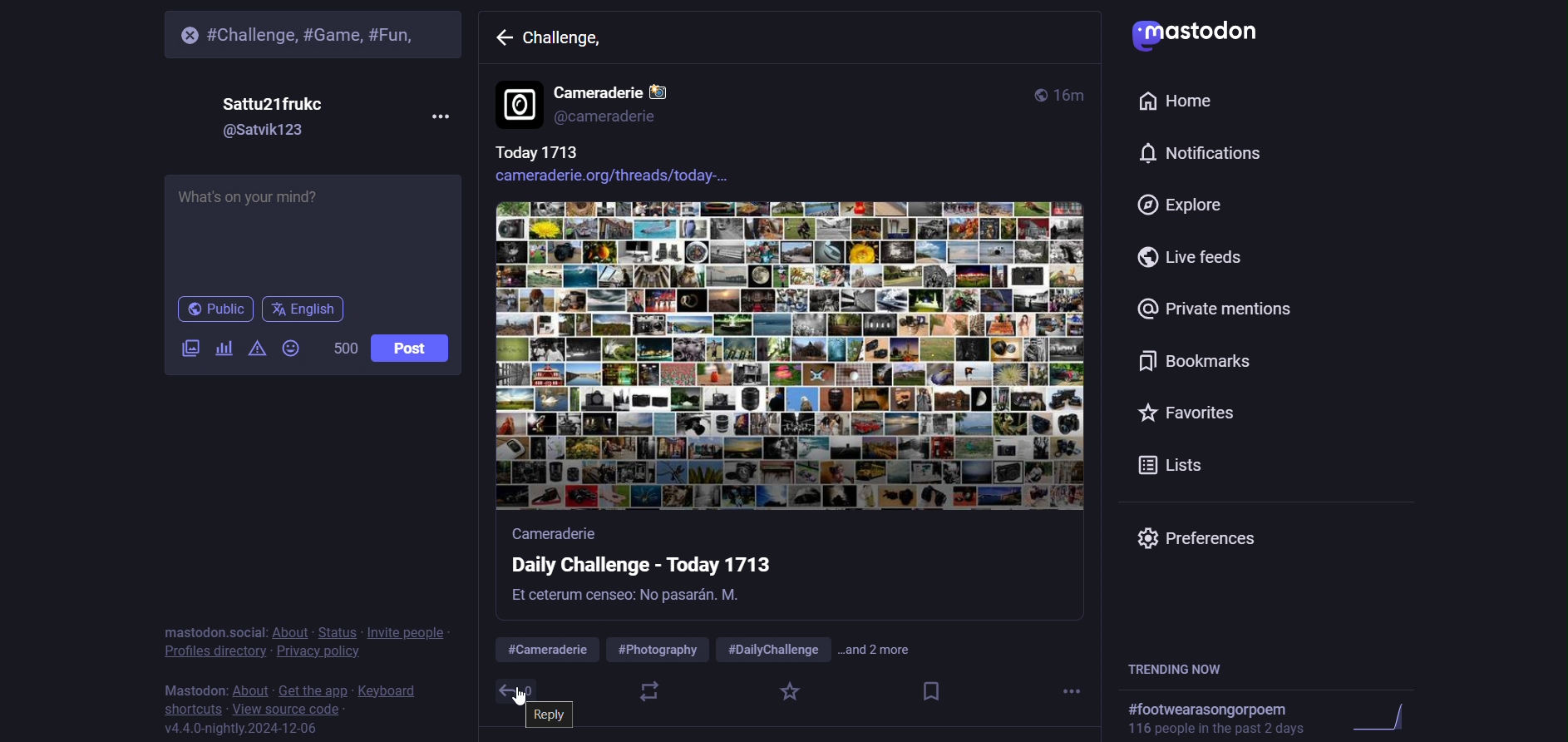 This screenshot has width=1568, height=742. Describe the element at coordinates (212, 631) in the screenshot. I see `mastodon social` at that location.